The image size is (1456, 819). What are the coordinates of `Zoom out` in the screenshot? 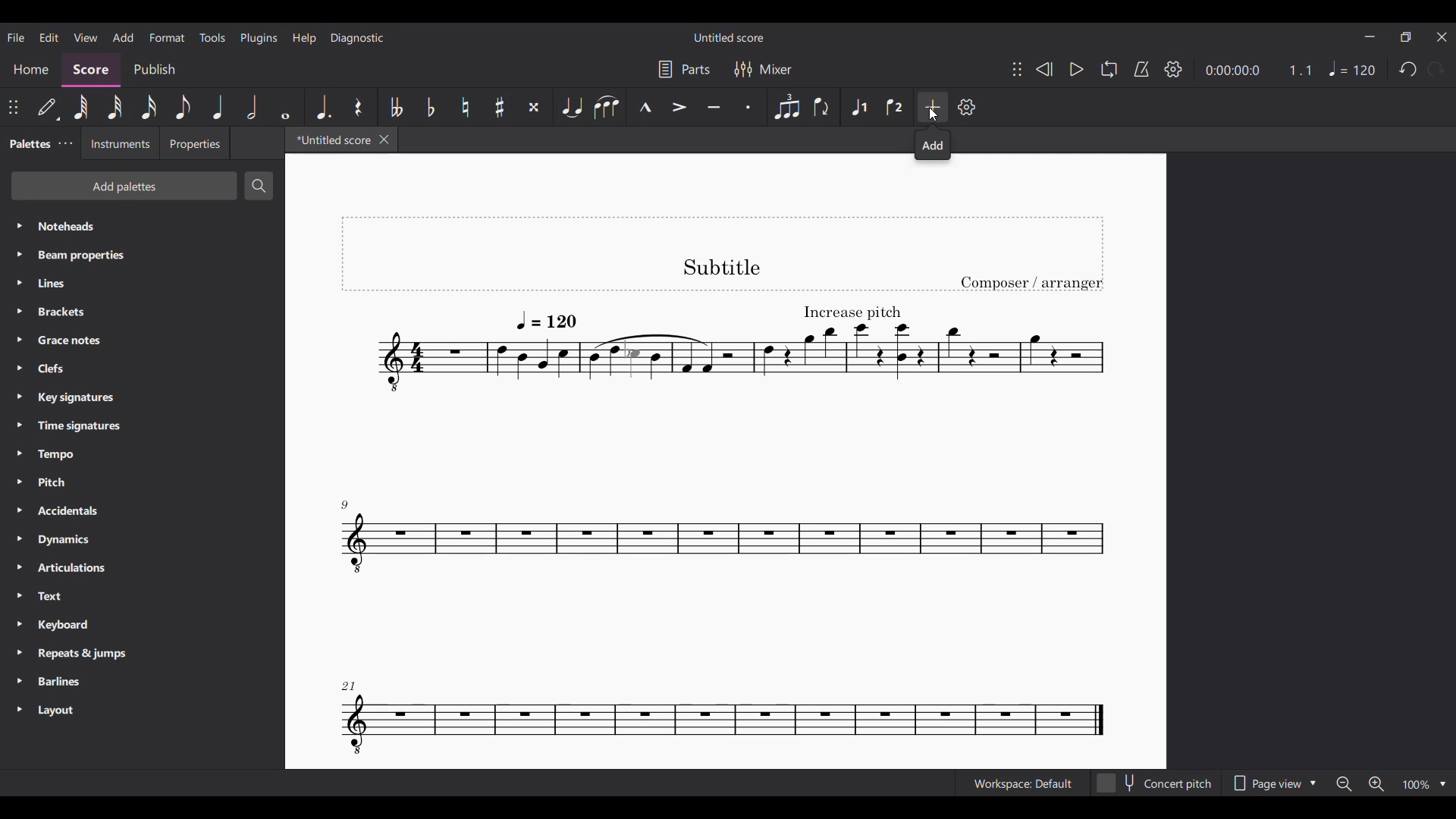 It's located at (1345, 783).